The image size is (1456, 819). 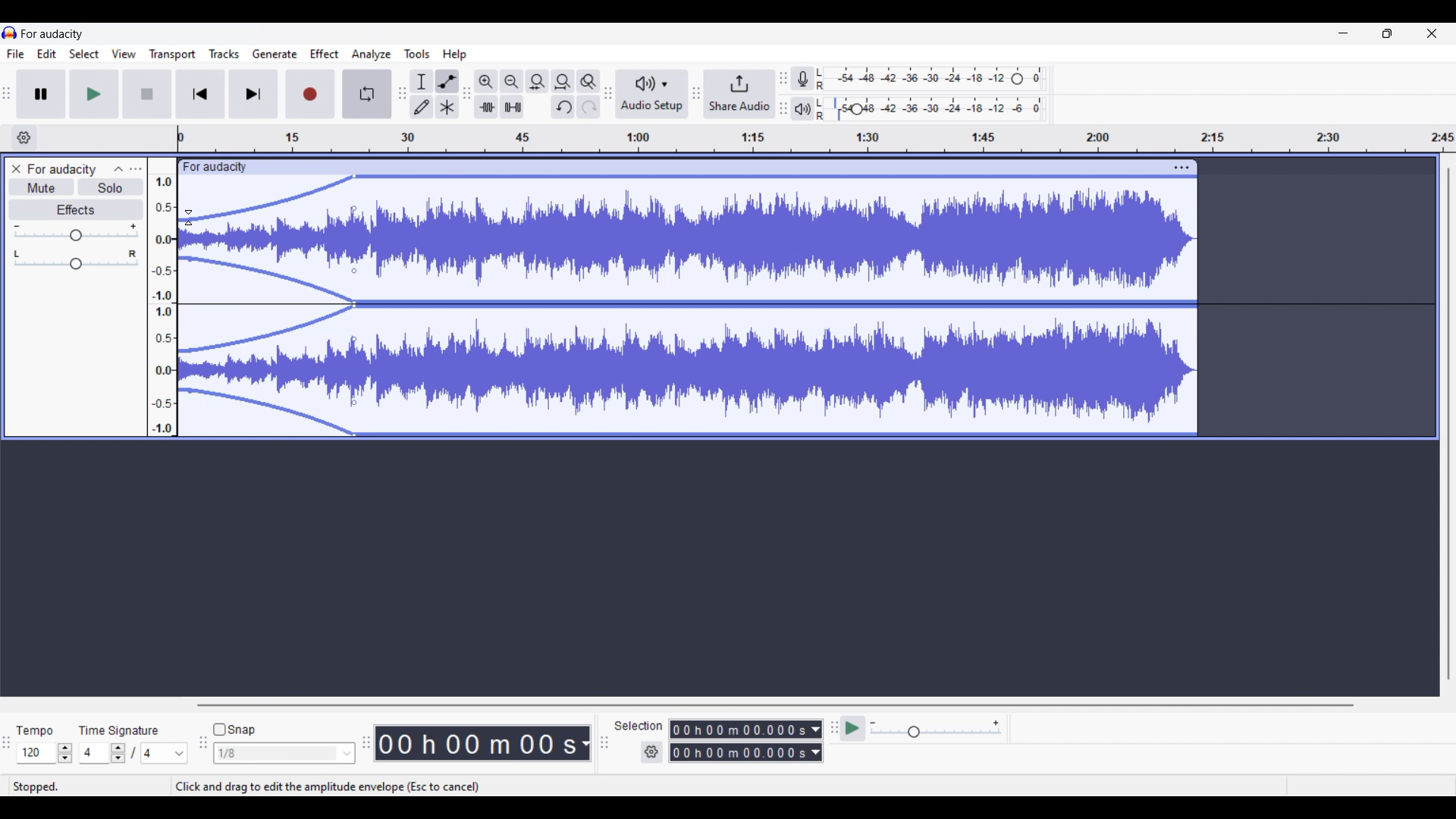 I want to click on Fit project to width, so click(x=564, y=81).